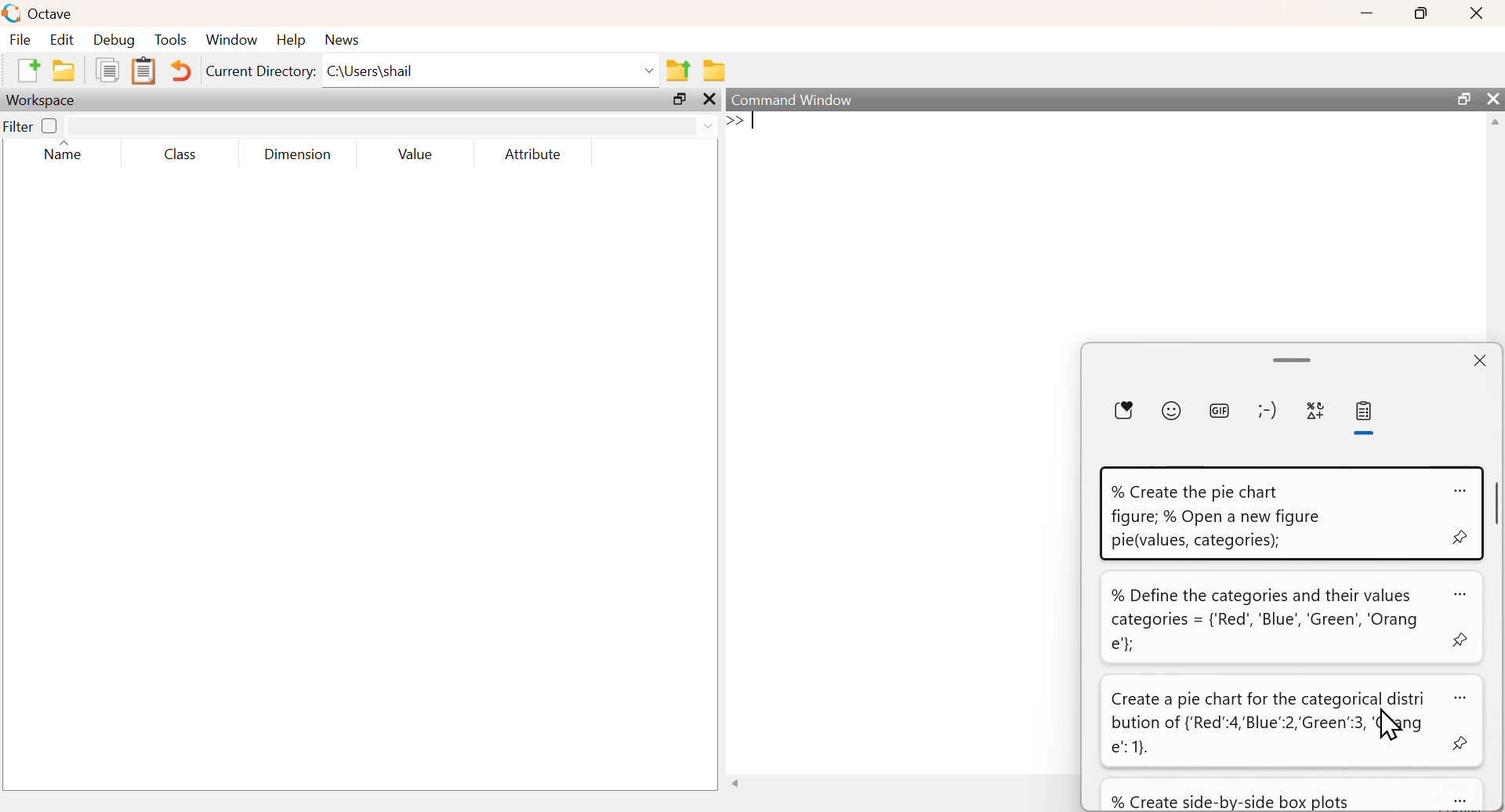  Describe the element at coordinates (343, 40) in the screenshot. I see `News` at that location.